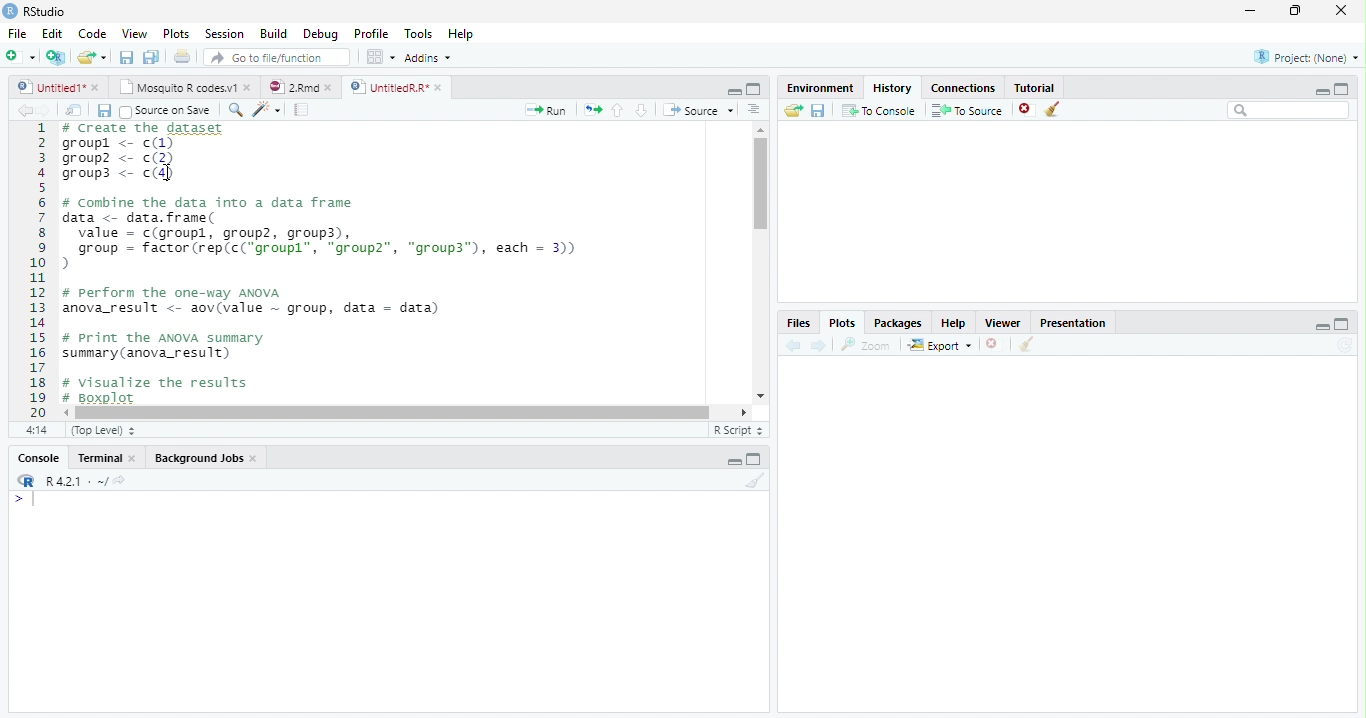  What do you see at coordinates (19, 56) in the screenshot?
I see `New file` at bounding box center [19, 56].